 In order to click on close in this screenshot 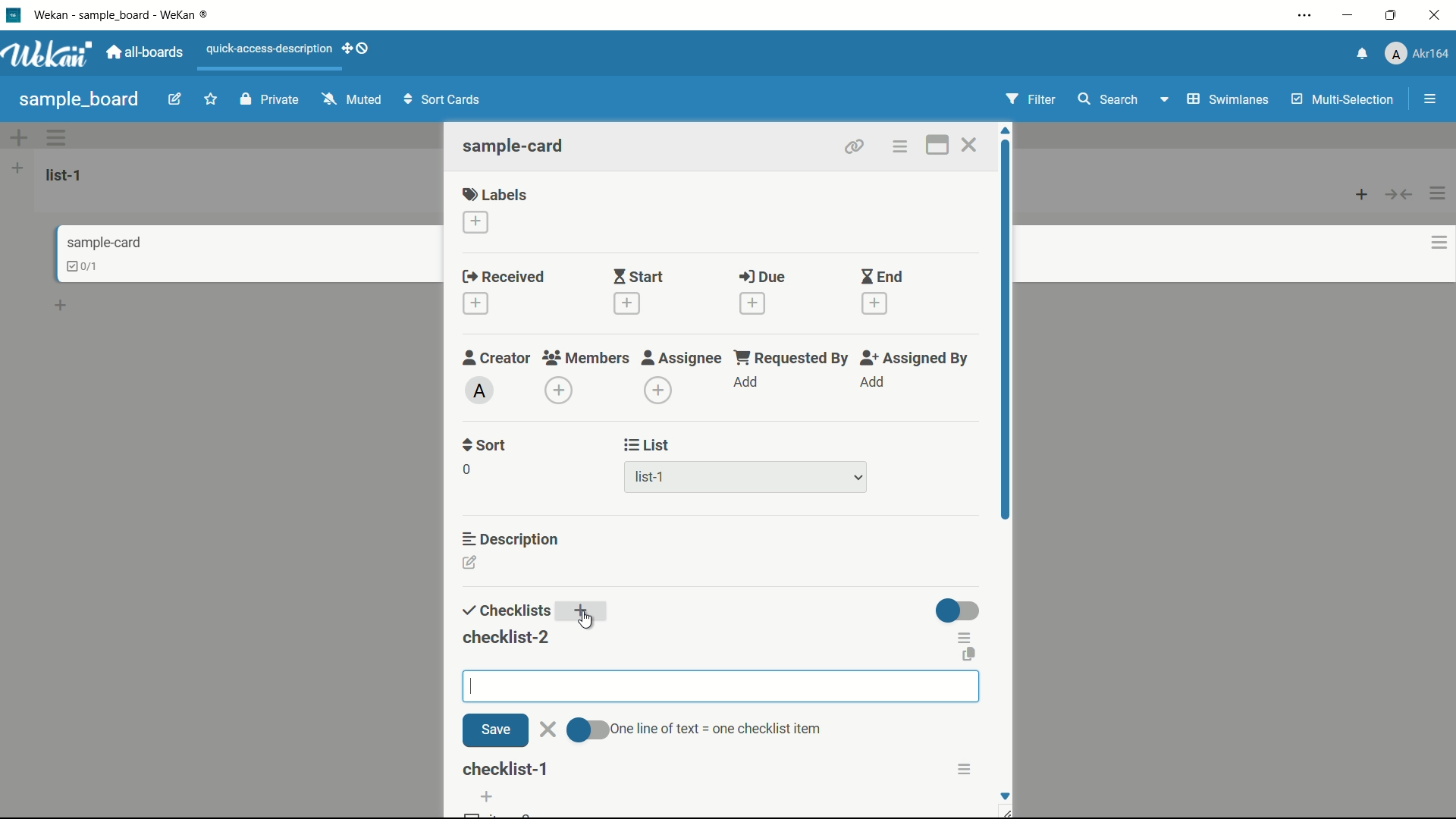, I will do `click(548, 730)`.